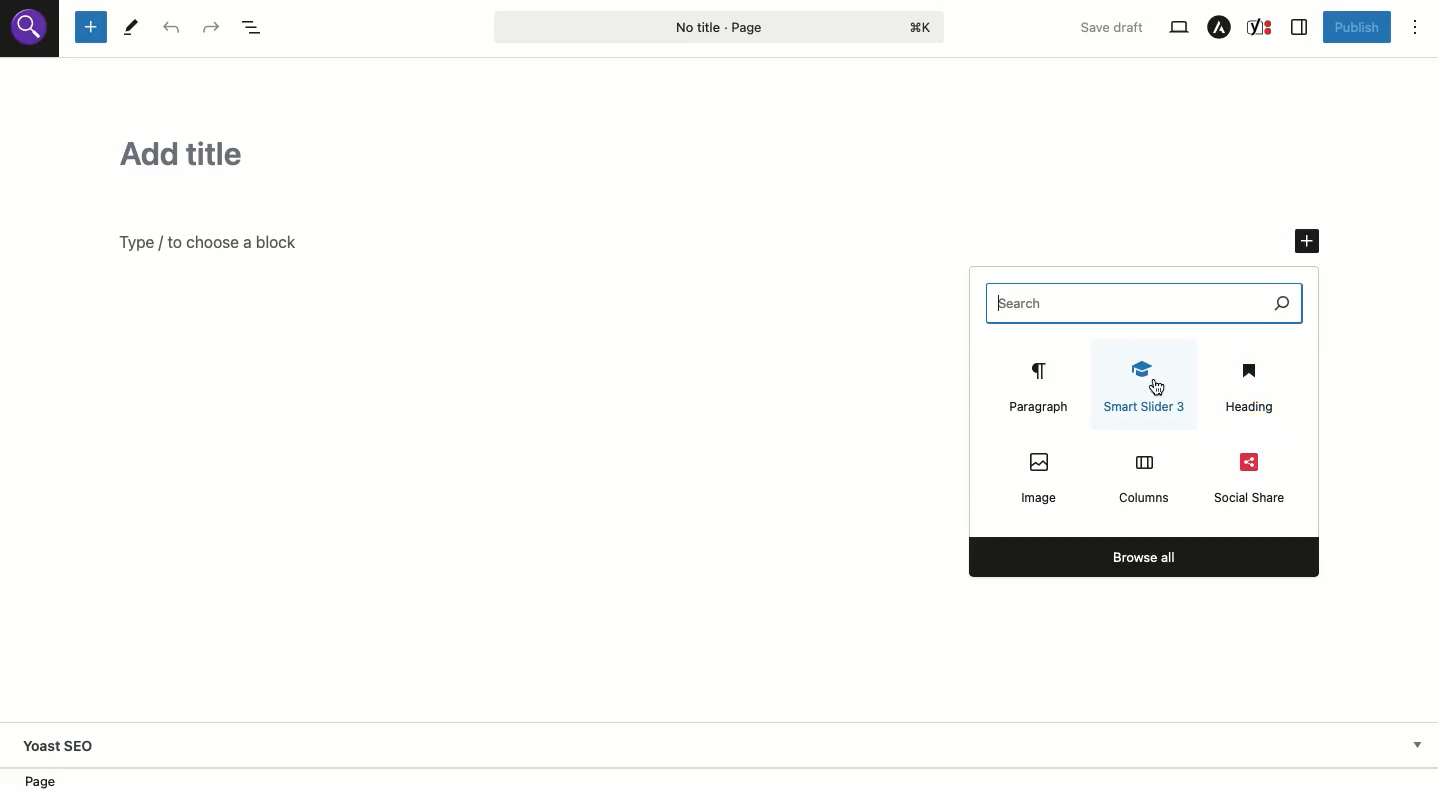 The width and height of the screenshot is (1438, 792). Describe the element at coordinates (53, 780) in the screenshot. I see `Location` at that location.